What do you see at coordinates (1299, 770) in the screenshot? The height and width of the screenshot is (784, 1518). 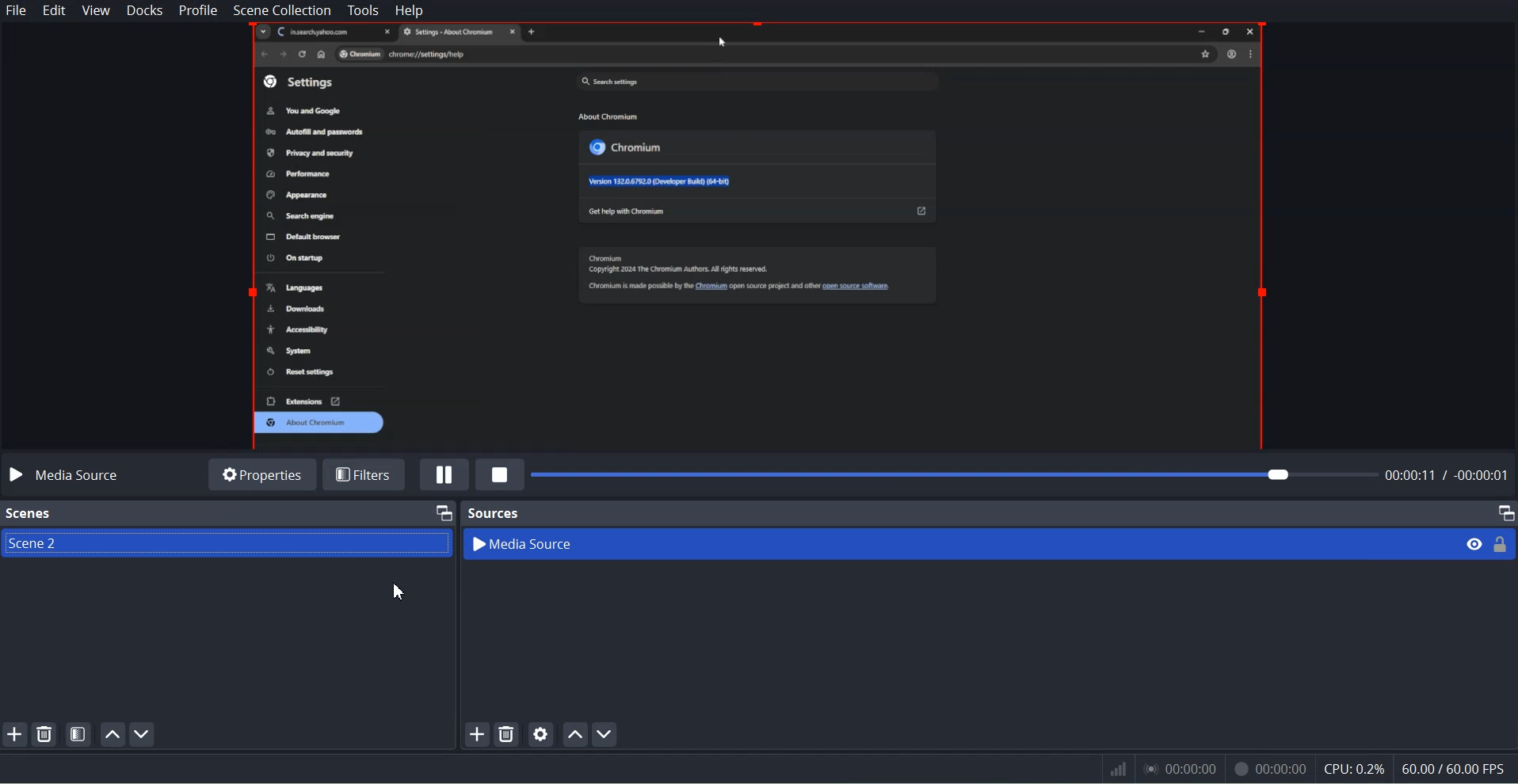 I see `Information Display` at bounding box center [1299, 770].